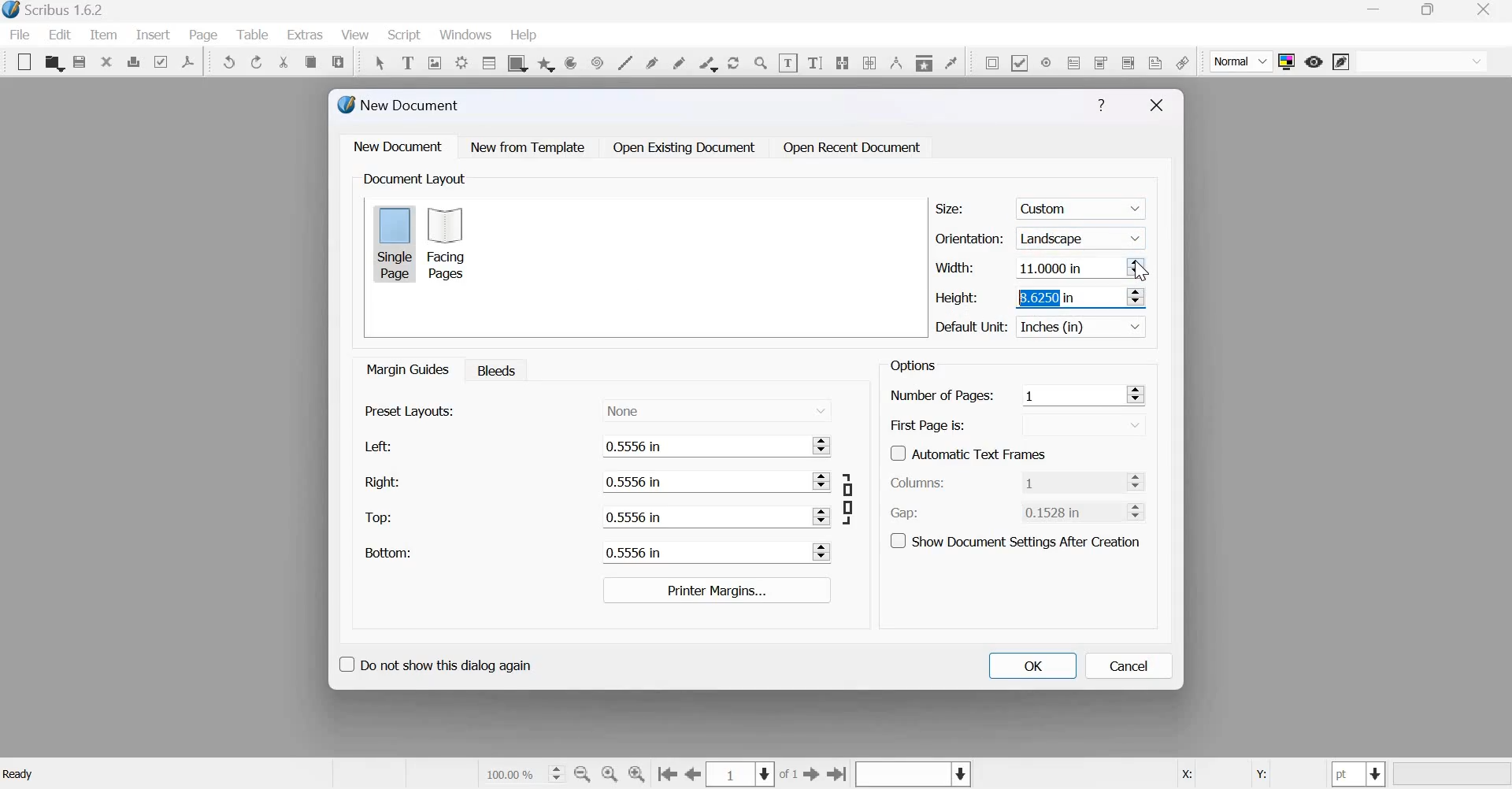  I want to click on Gap:, so click(905, 513).